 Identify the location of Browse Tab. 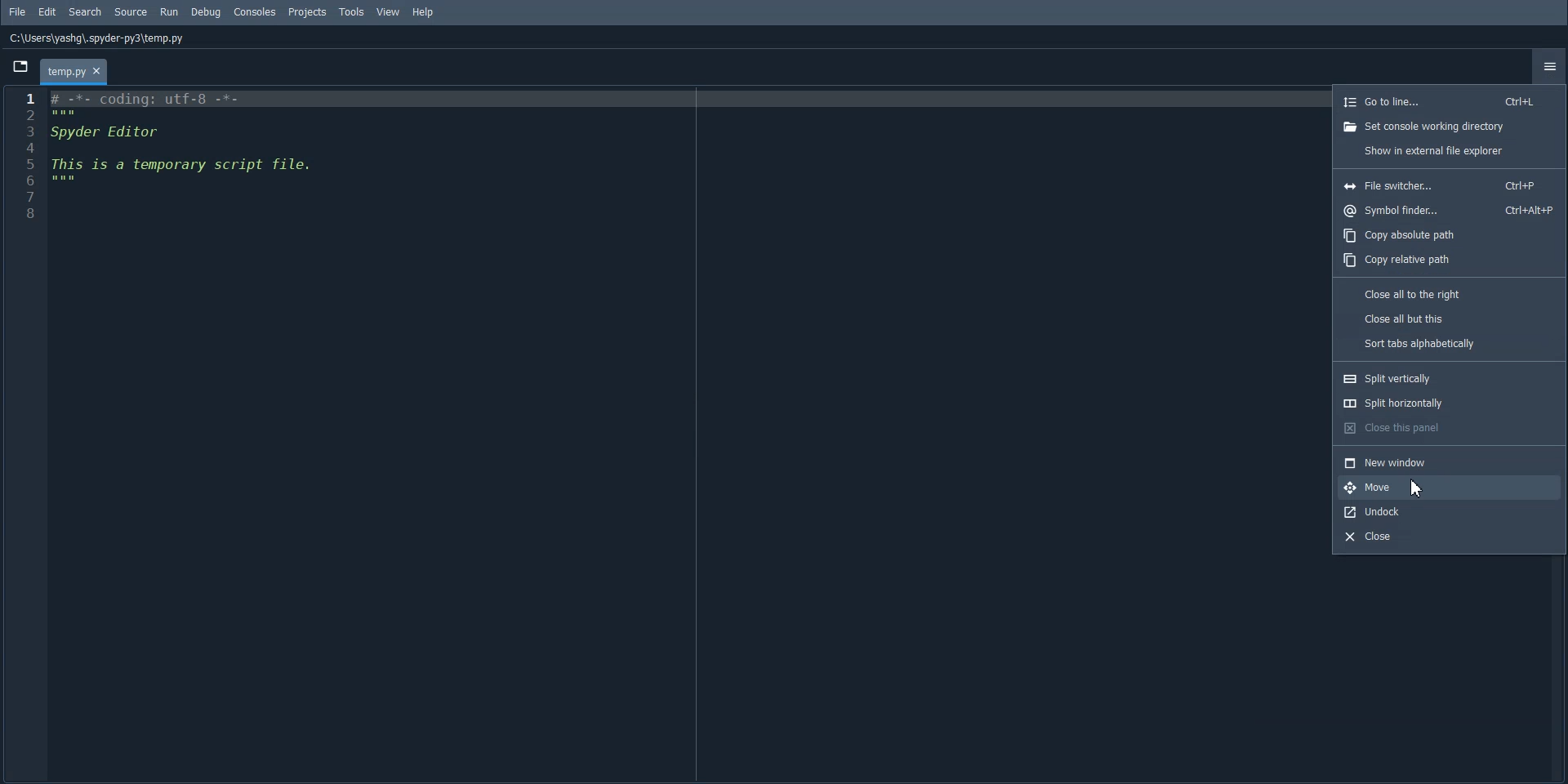
(20, 66).